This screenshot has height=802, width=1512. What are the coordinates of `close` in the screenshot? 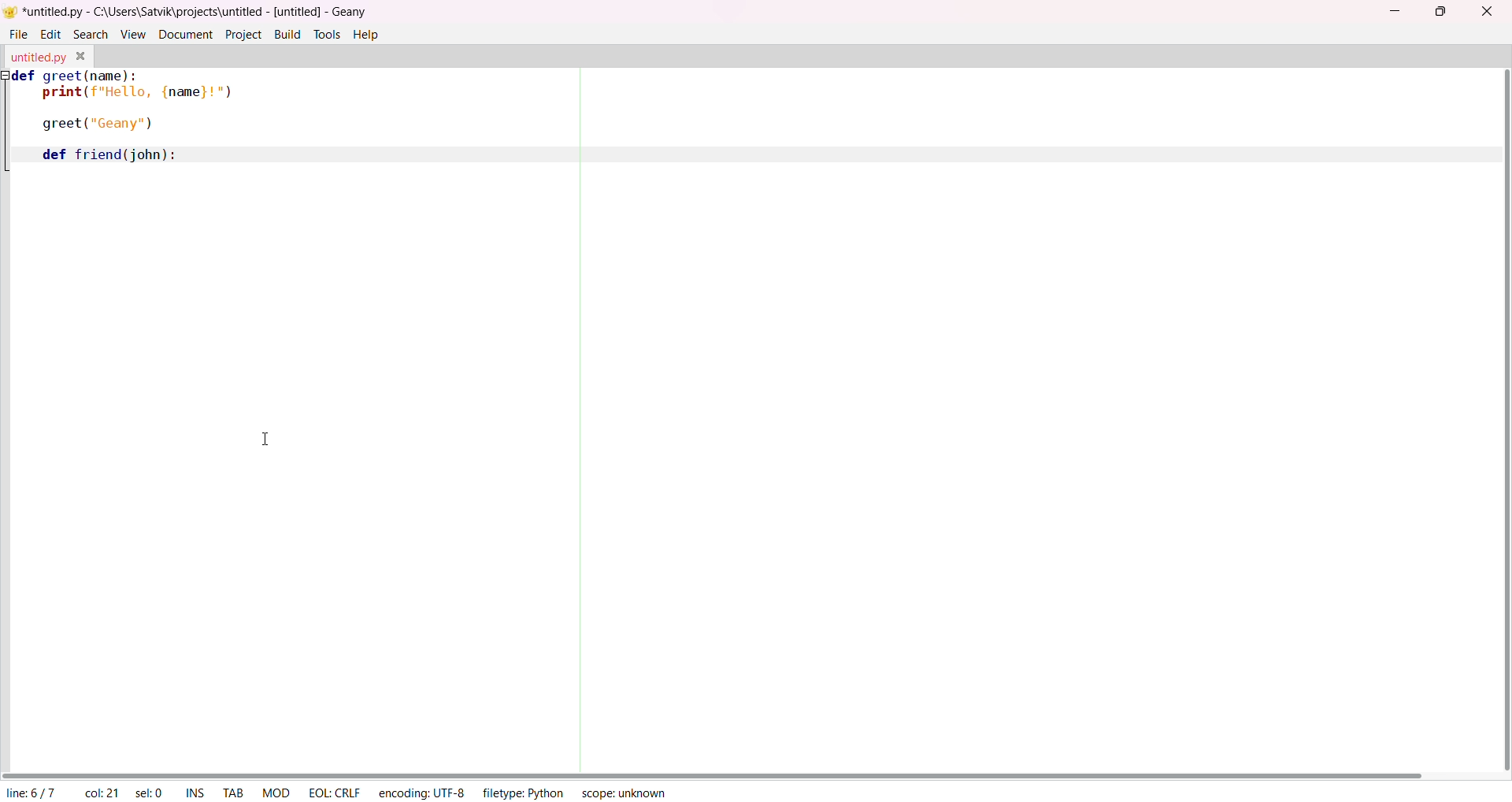 It's located at (1488, 10).